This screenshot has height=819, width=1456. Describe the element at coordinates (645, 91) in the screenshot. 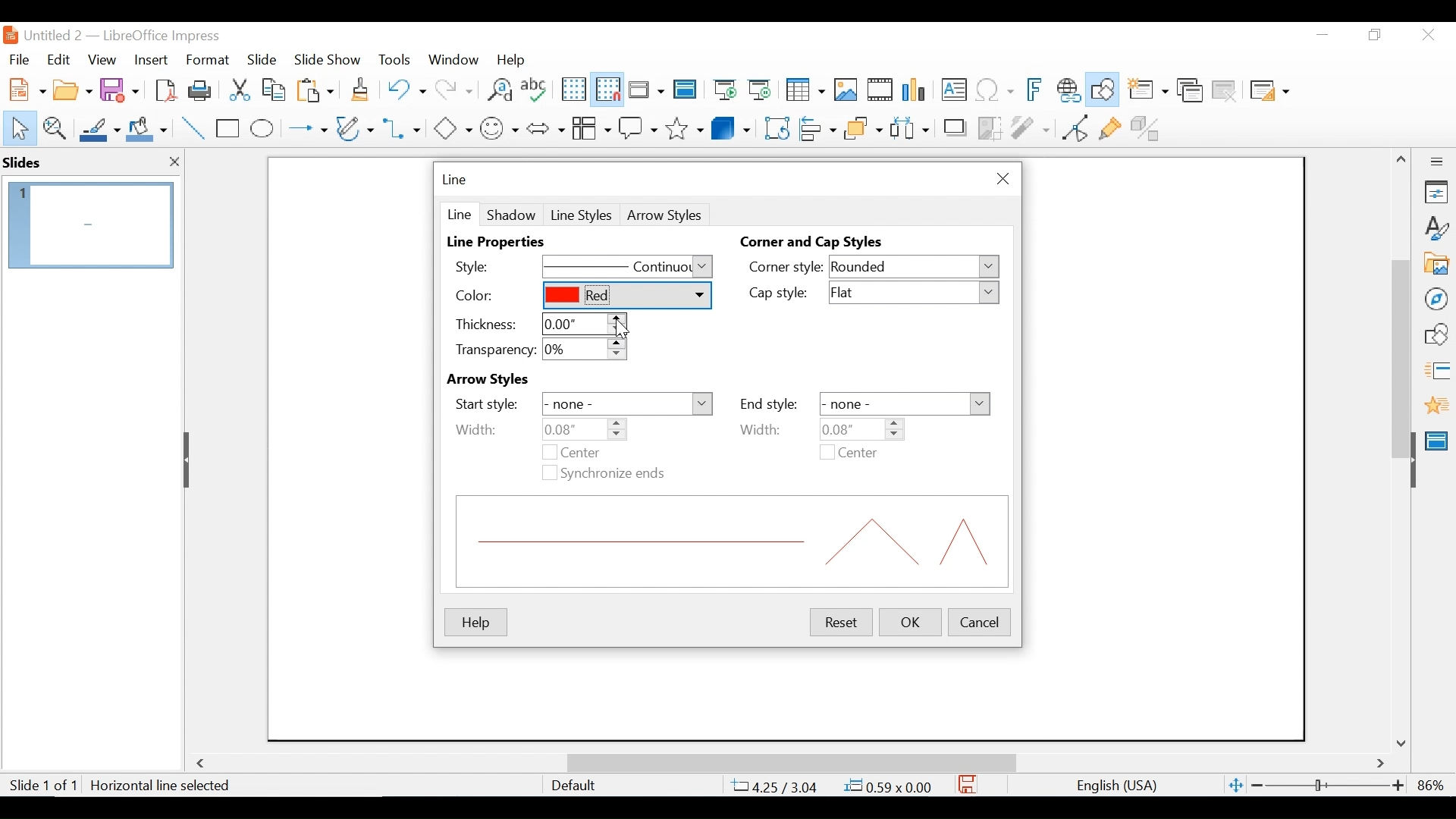

I see `Display Views` at that location.